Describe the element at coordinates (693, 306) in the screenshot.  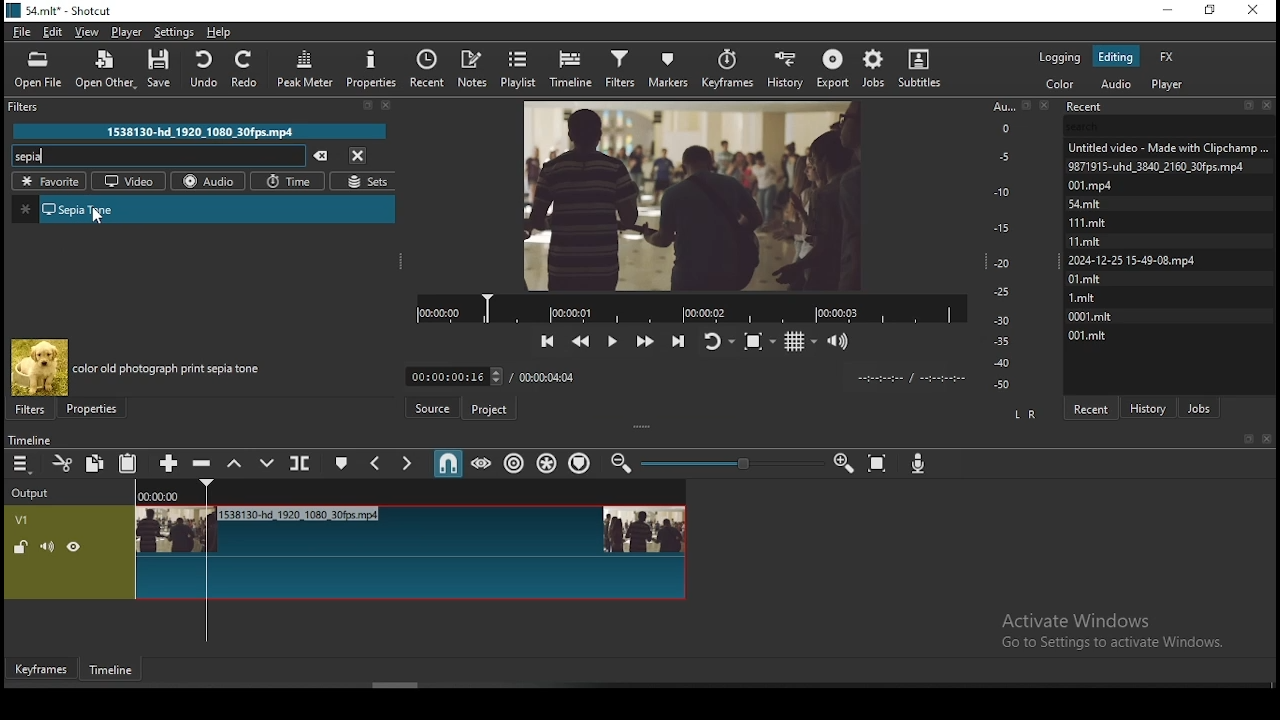
I see `track progress bar` at that location.